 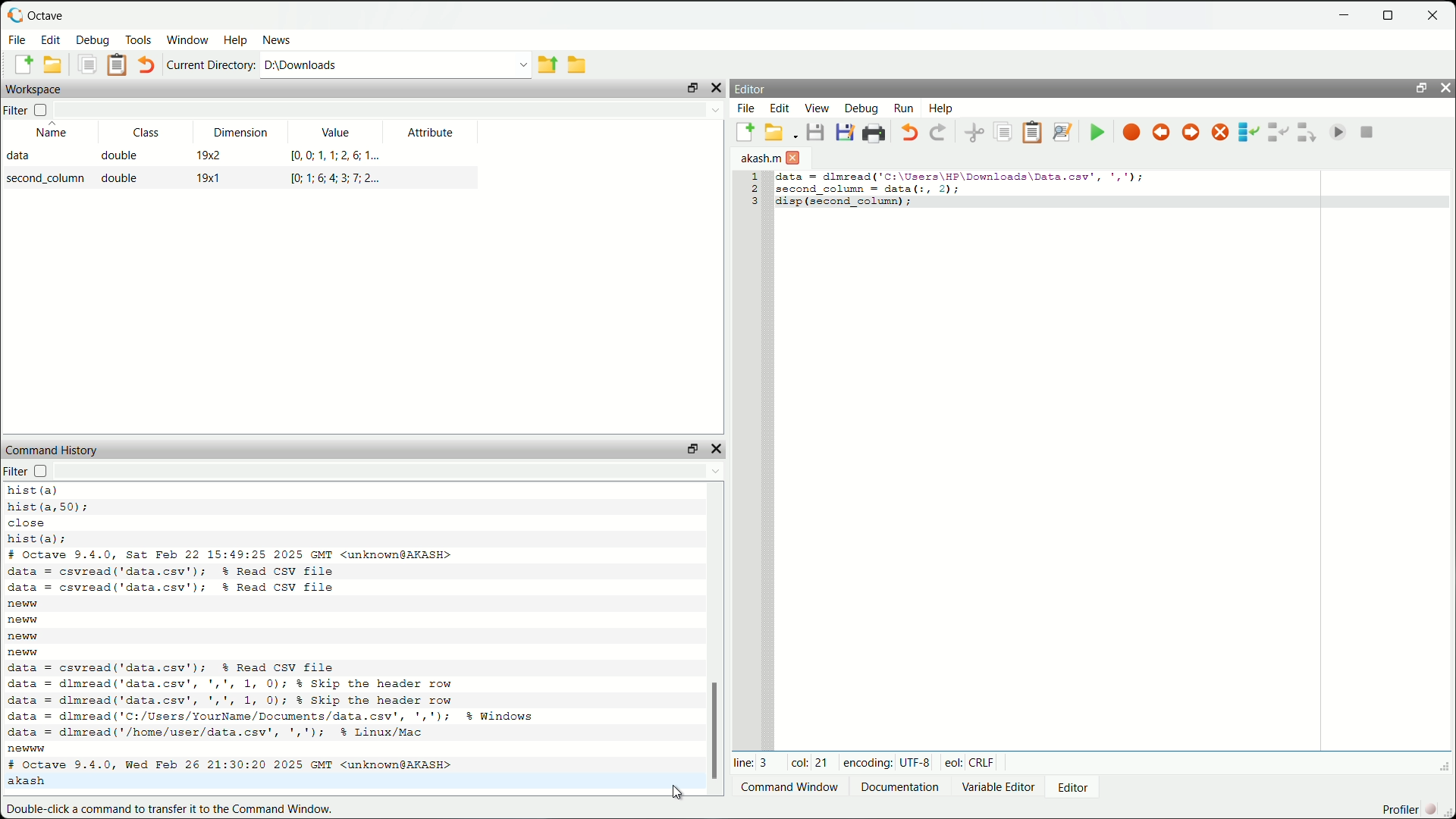 What do you see at coordinates (717, 86) in the screenshot?
I see `hide widget` at bounding box center [717, 86].